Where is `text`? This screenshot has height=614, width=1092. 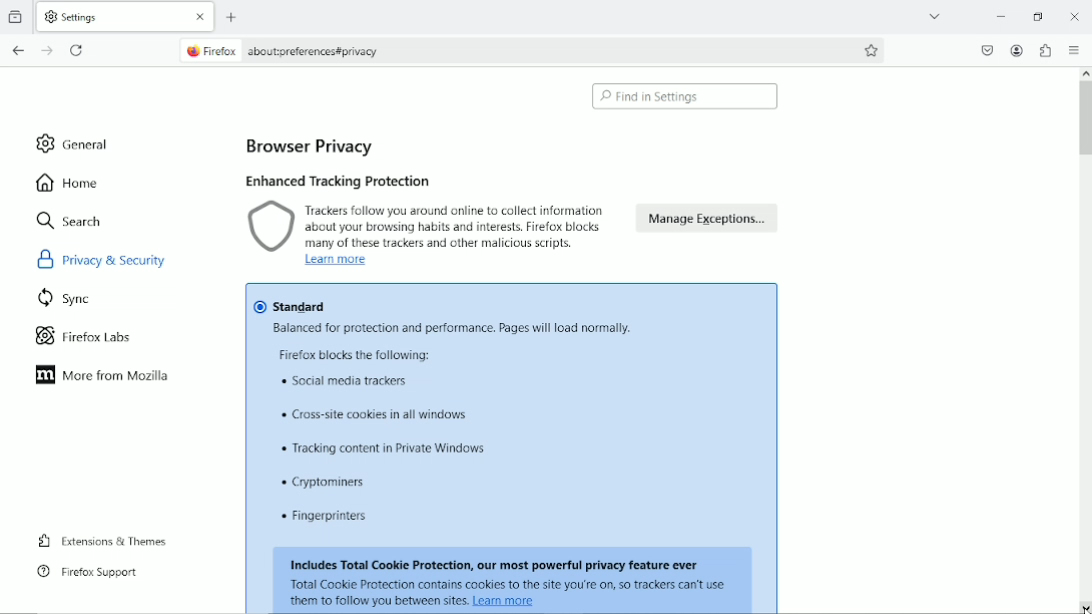
text is located at coordinates (355, 354).